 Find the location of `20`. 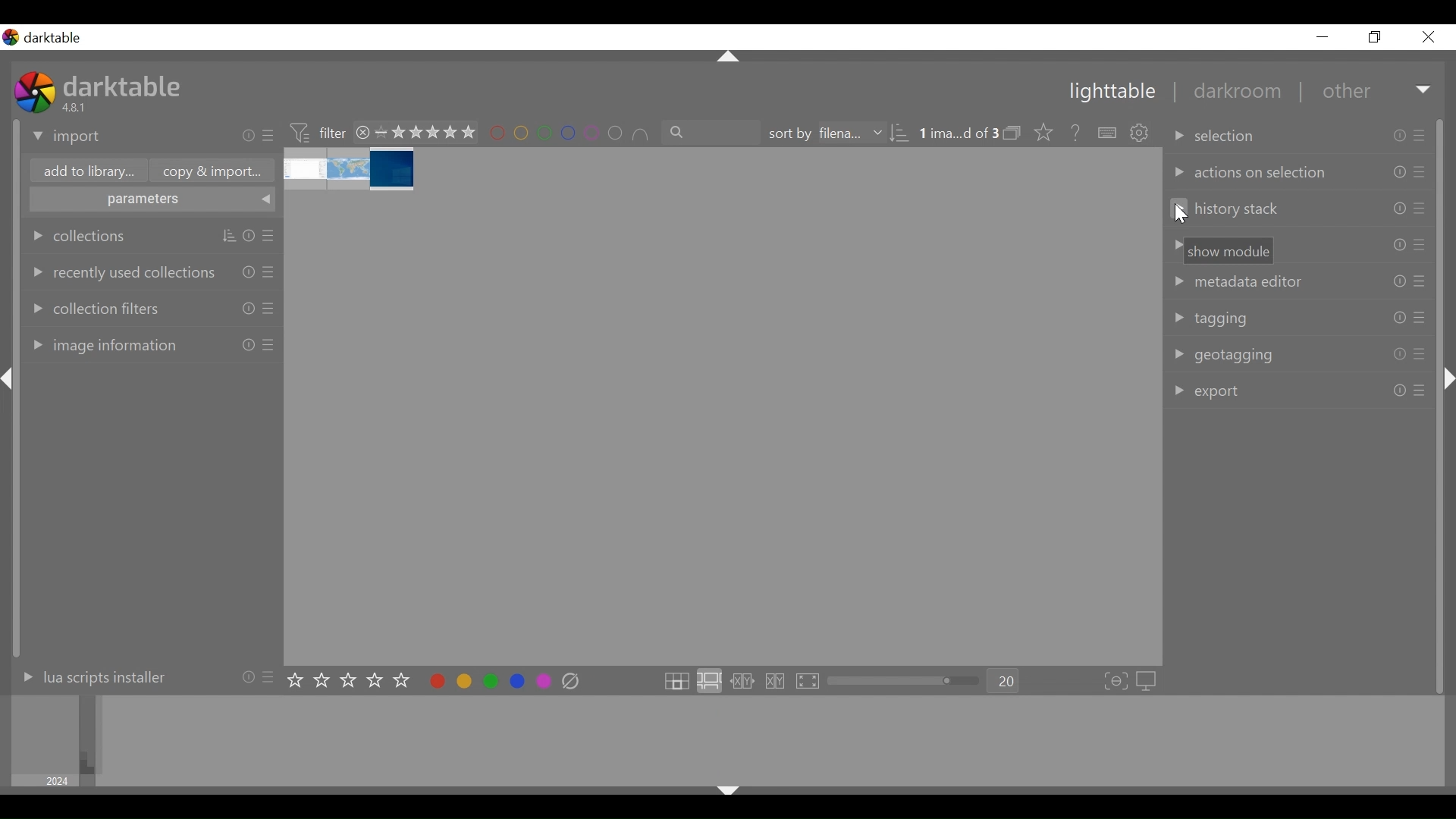

20 is located at coordinates (1004, 682).